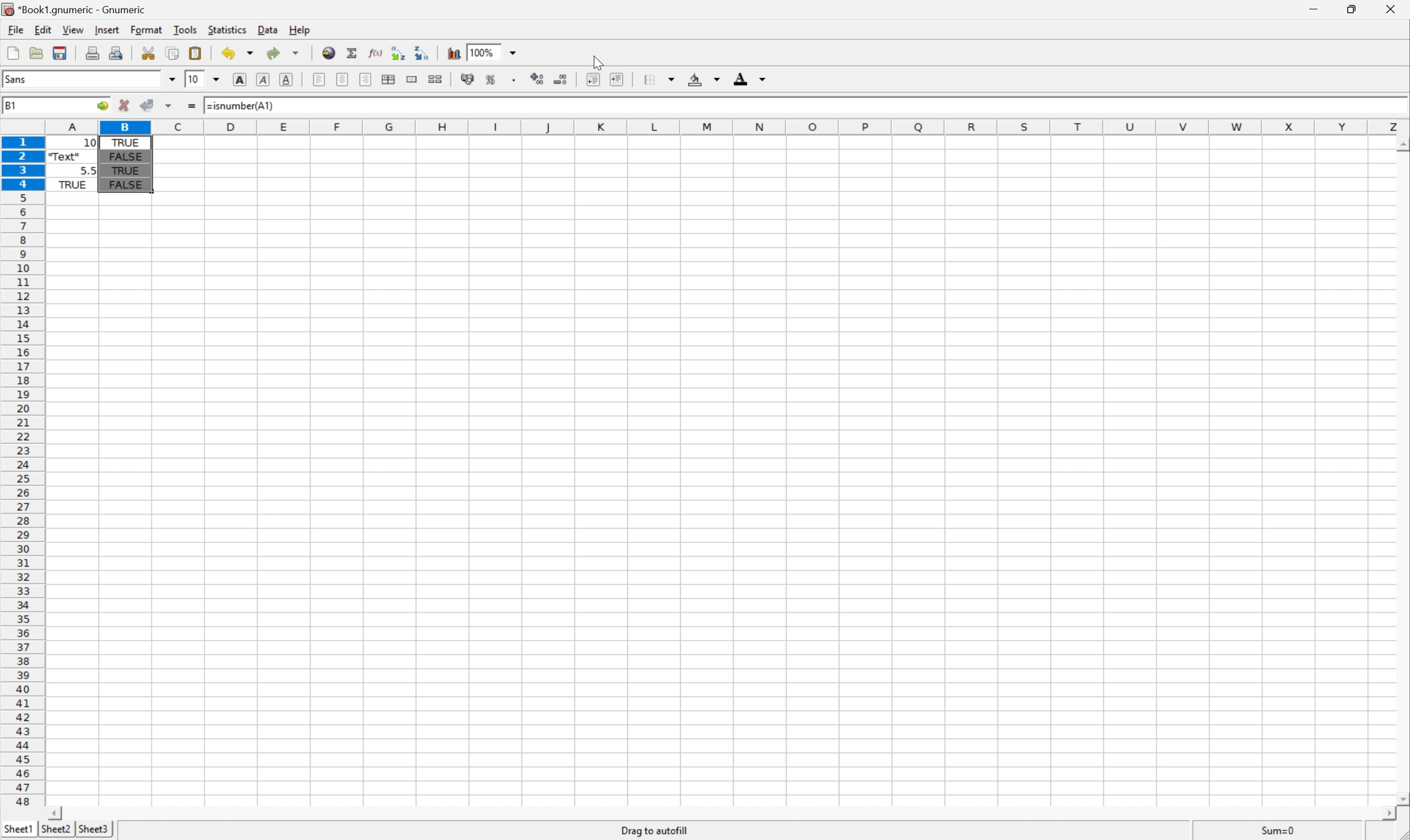 Image resolution: width=1410 pixels, height=840 pixels. I want to click on =isnumber(A1), so click(239, 106).